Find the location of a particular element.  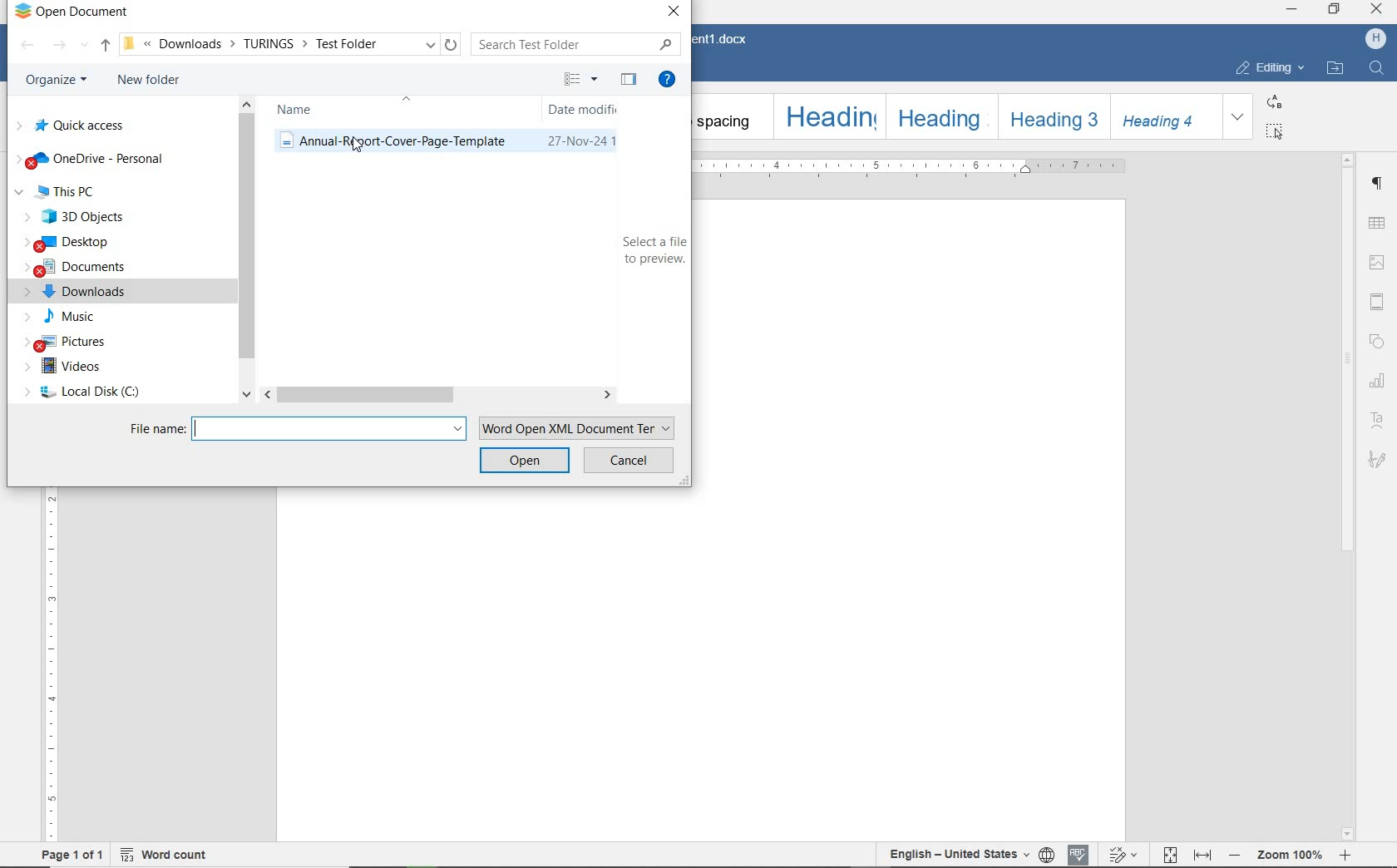

fit to width is located at coordinates (1202, 856).